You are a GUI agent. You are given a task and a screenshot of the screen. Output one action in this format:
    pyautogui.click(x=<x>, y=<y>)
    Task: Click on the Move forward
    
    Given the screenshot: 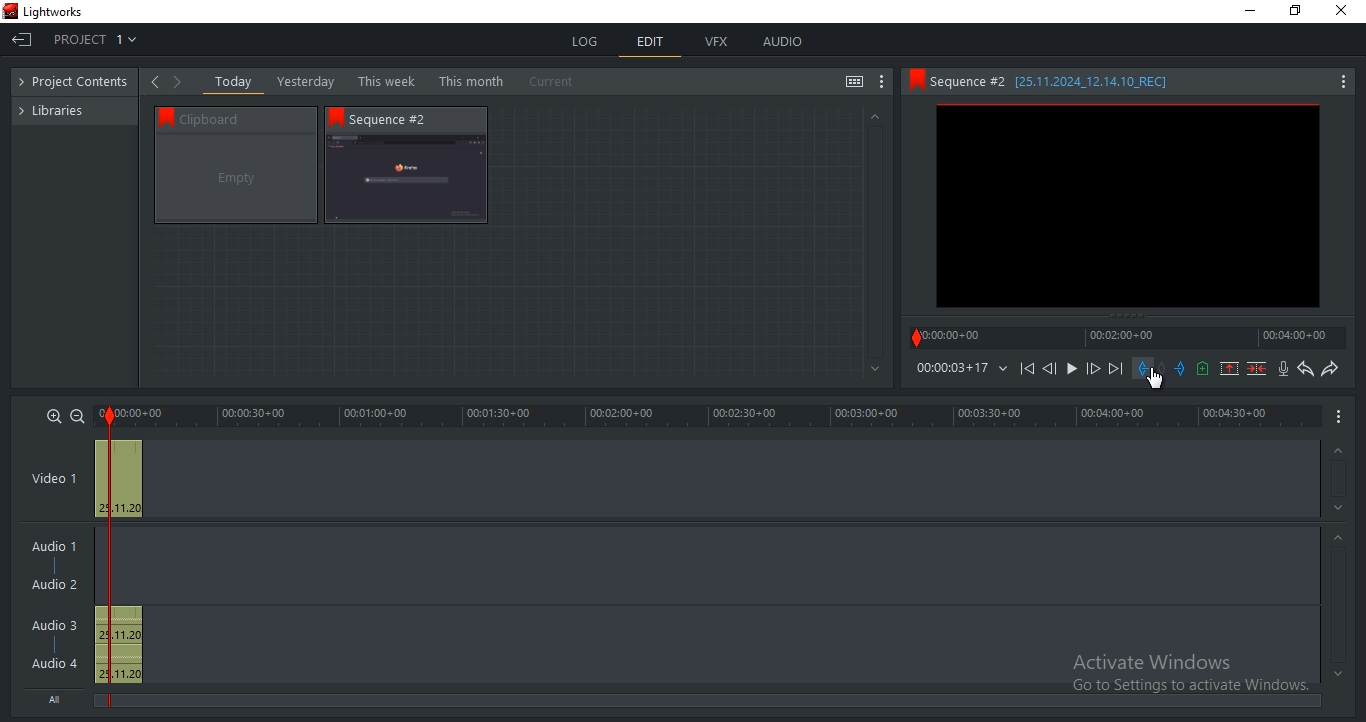 What is the action you would take?
    pyautogui.click(x=1115, y=369)
    